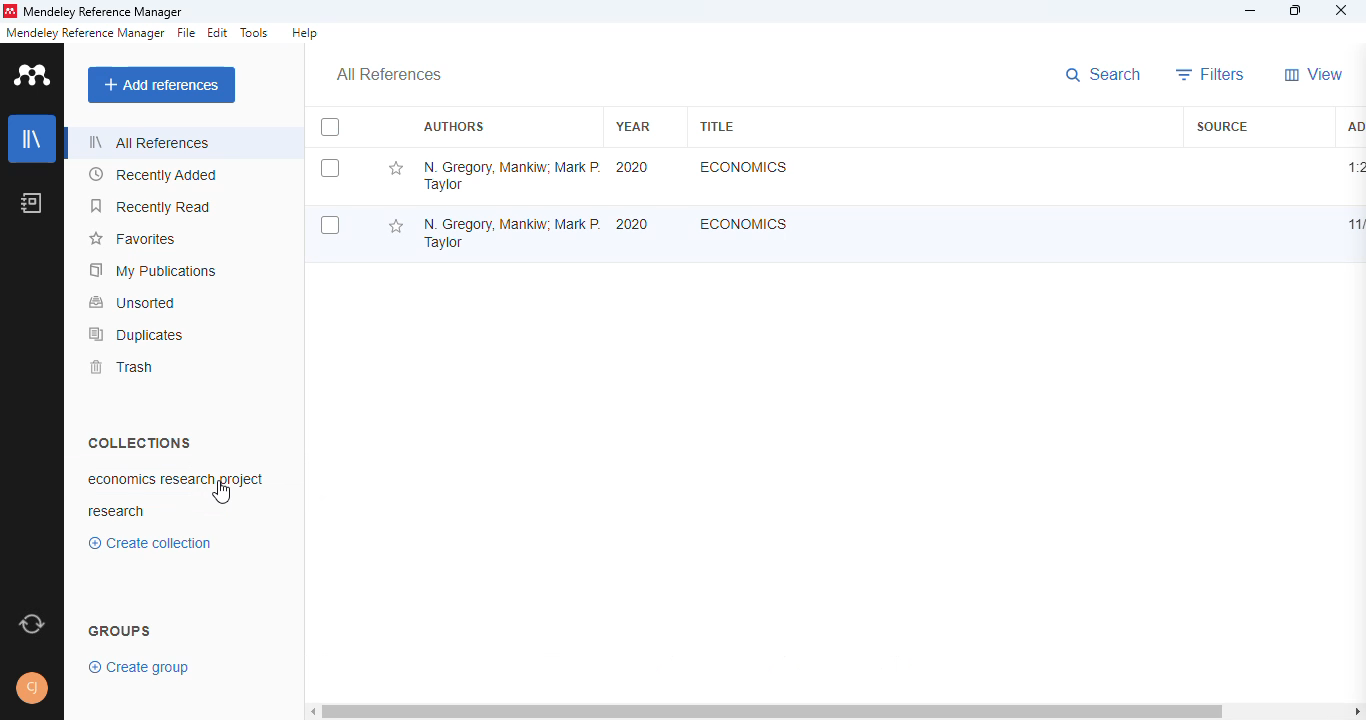 The height and width of the screenshot is (720, 1366). I want to click on logo, so click(34, 74).